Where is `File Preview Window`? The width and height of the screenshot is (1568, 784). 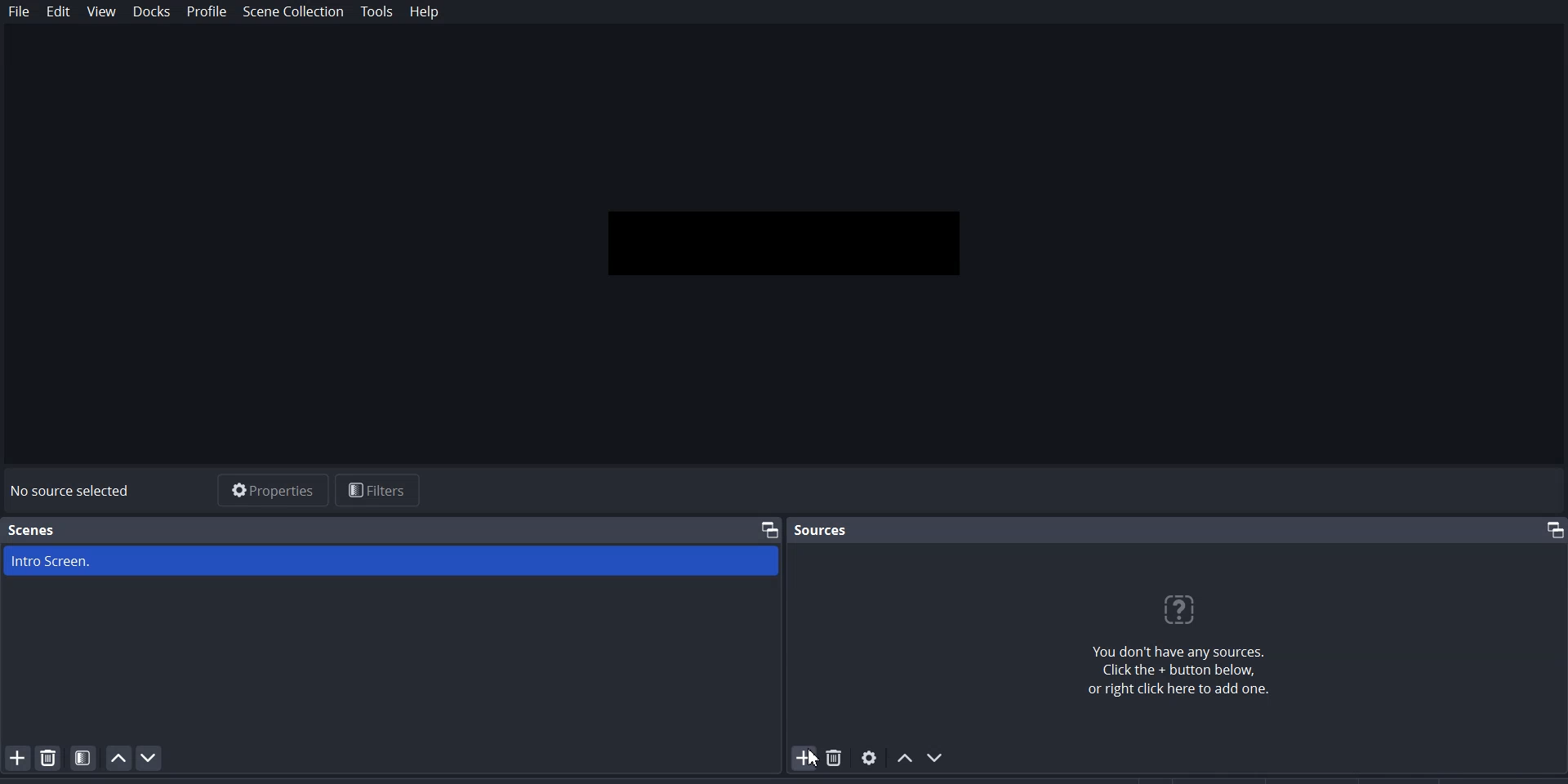 File Preview Window is located at coordinates (786, 242).